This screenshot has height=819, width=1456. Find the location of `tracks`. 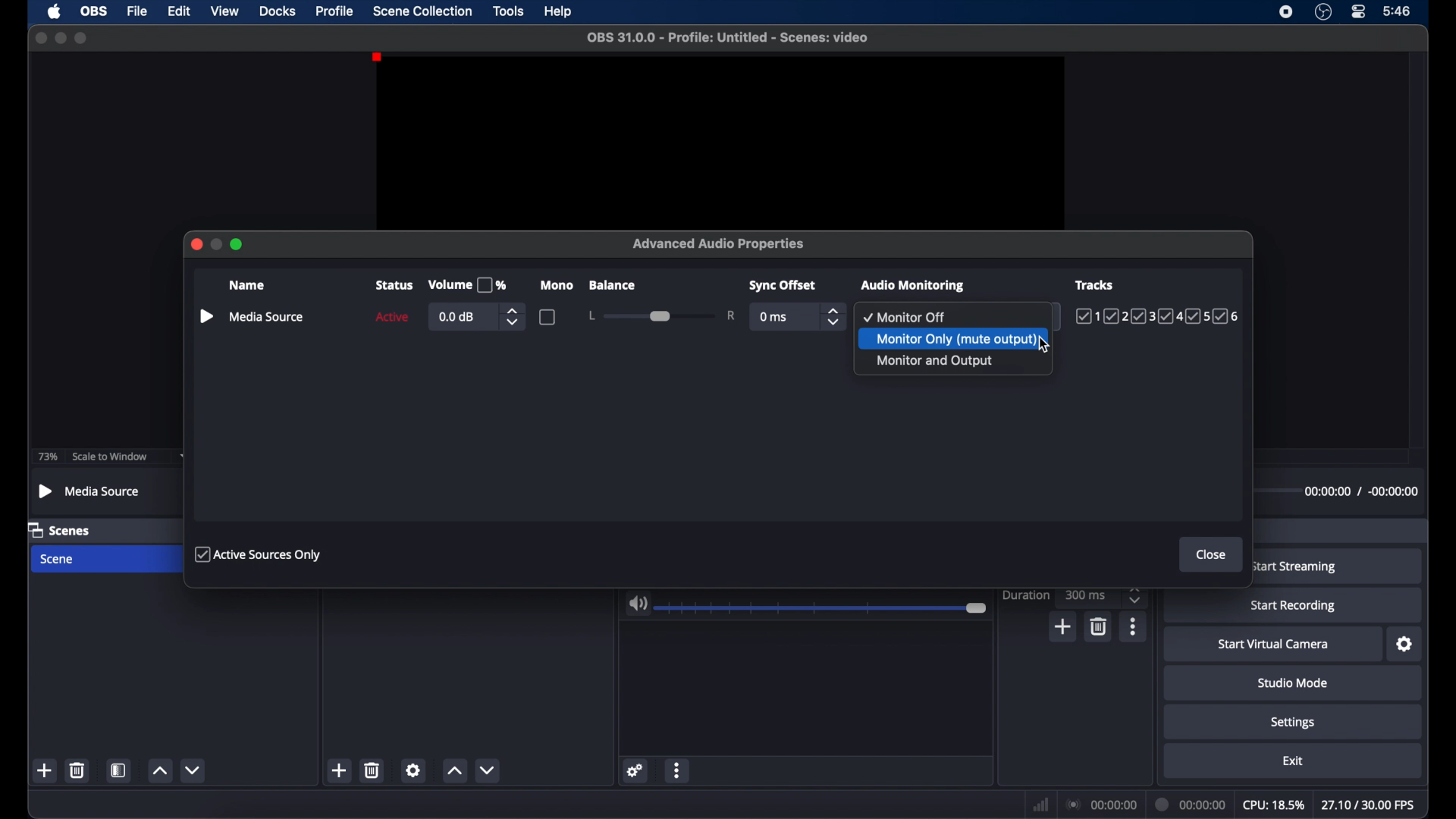

tracks is located at coordinates (1096, 284).